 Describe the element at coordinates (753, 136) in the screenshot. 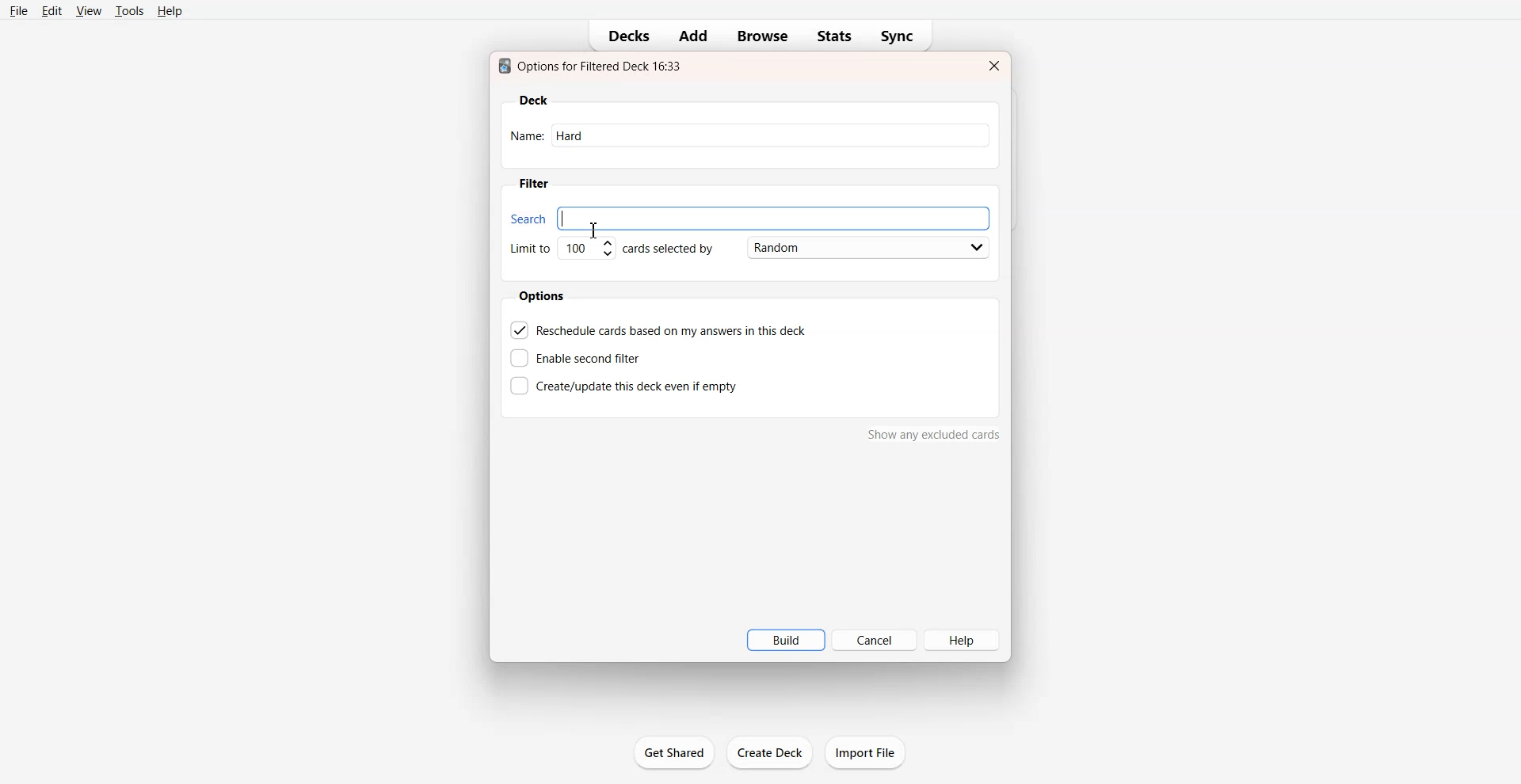

I see `Name: hard` at that location.